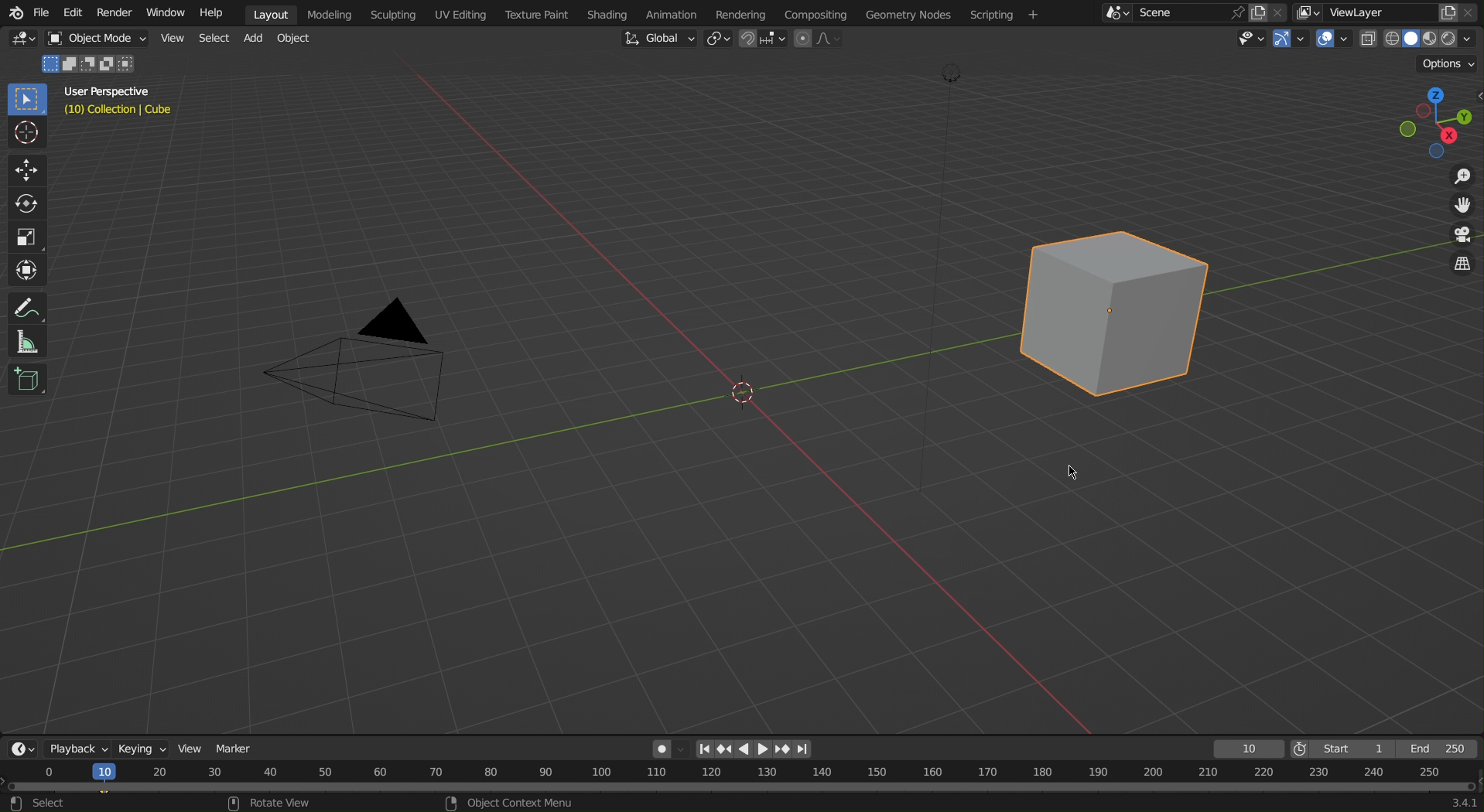  Describe the element at coordinates (805, 750) in the screenshot. I see `Last page` at that location.